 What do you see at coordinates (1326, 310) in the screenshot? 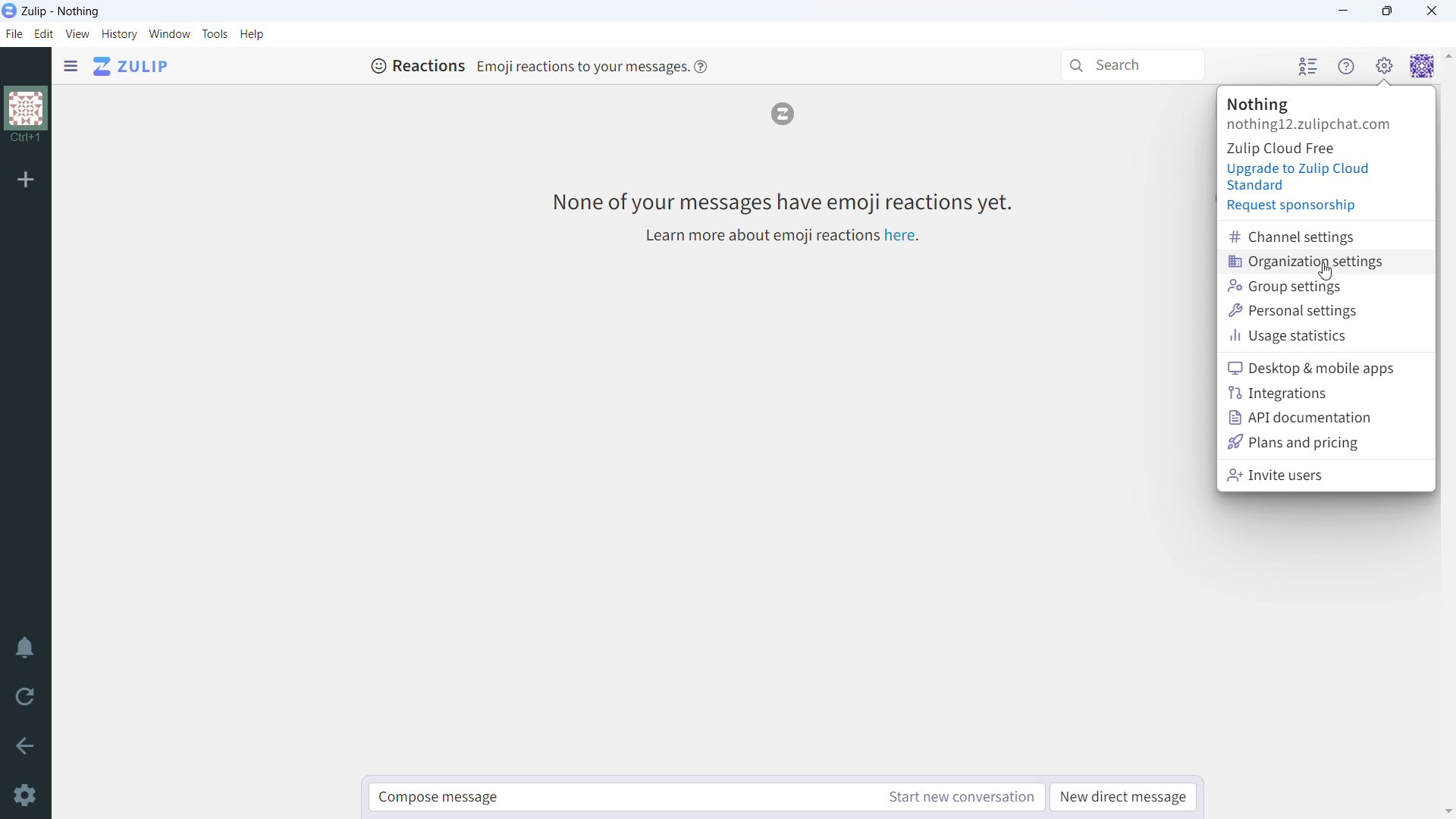
I see `personal settings` at bounding box center [1326, 310].